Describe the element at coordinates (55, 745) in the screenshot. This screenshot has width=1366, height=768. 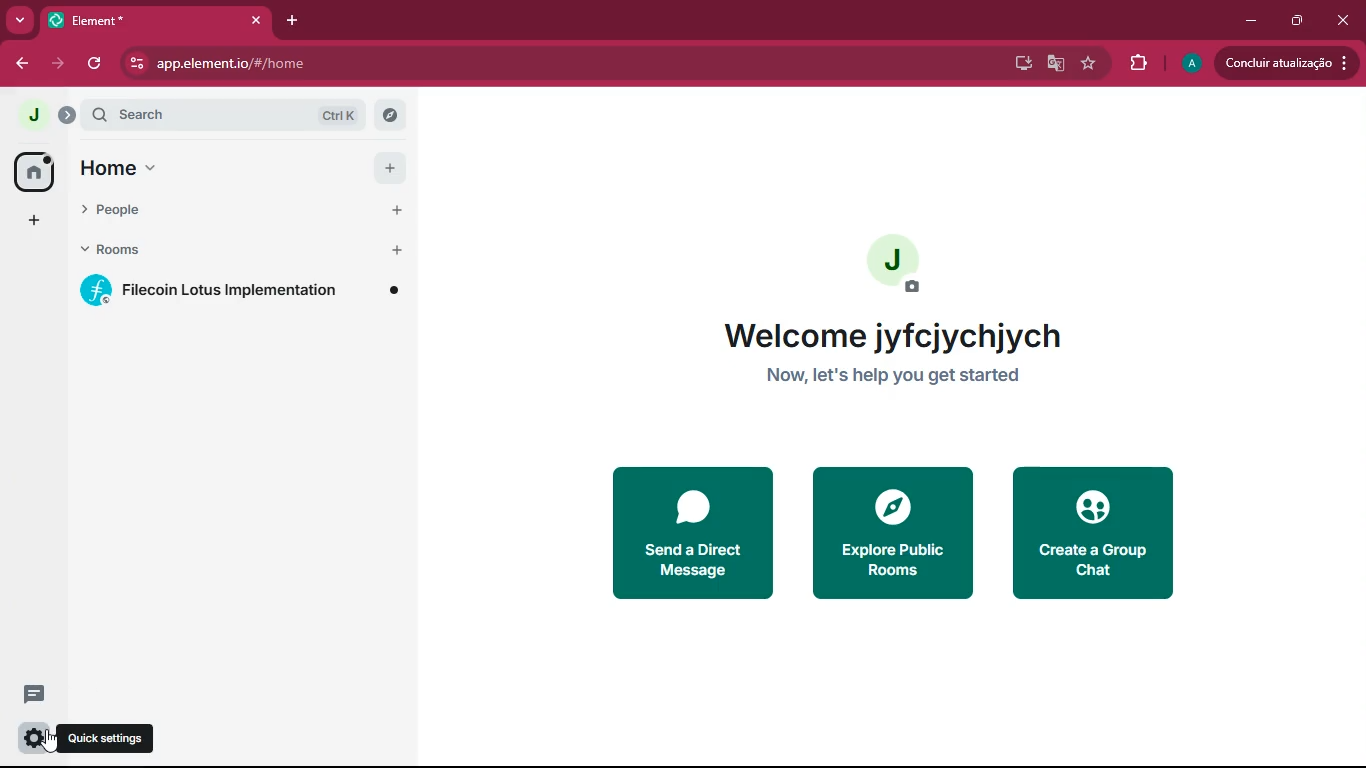
I see `cursor` at that location.